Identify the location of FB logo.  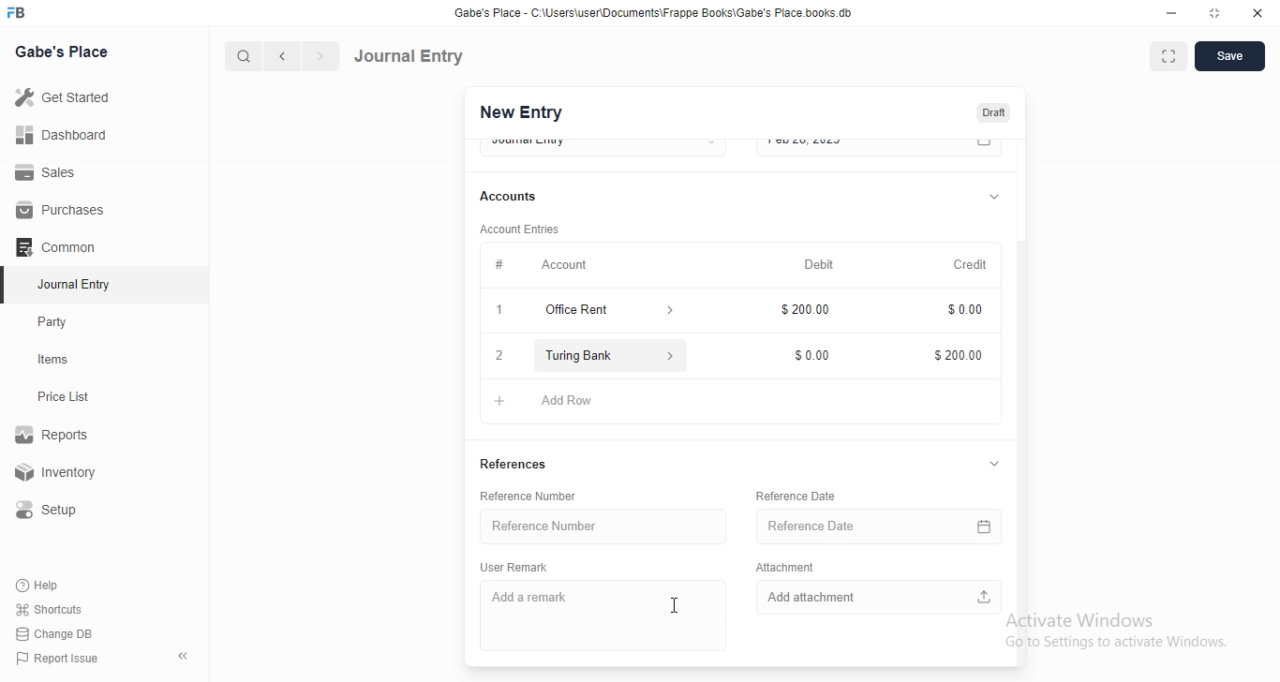
(18, 13).